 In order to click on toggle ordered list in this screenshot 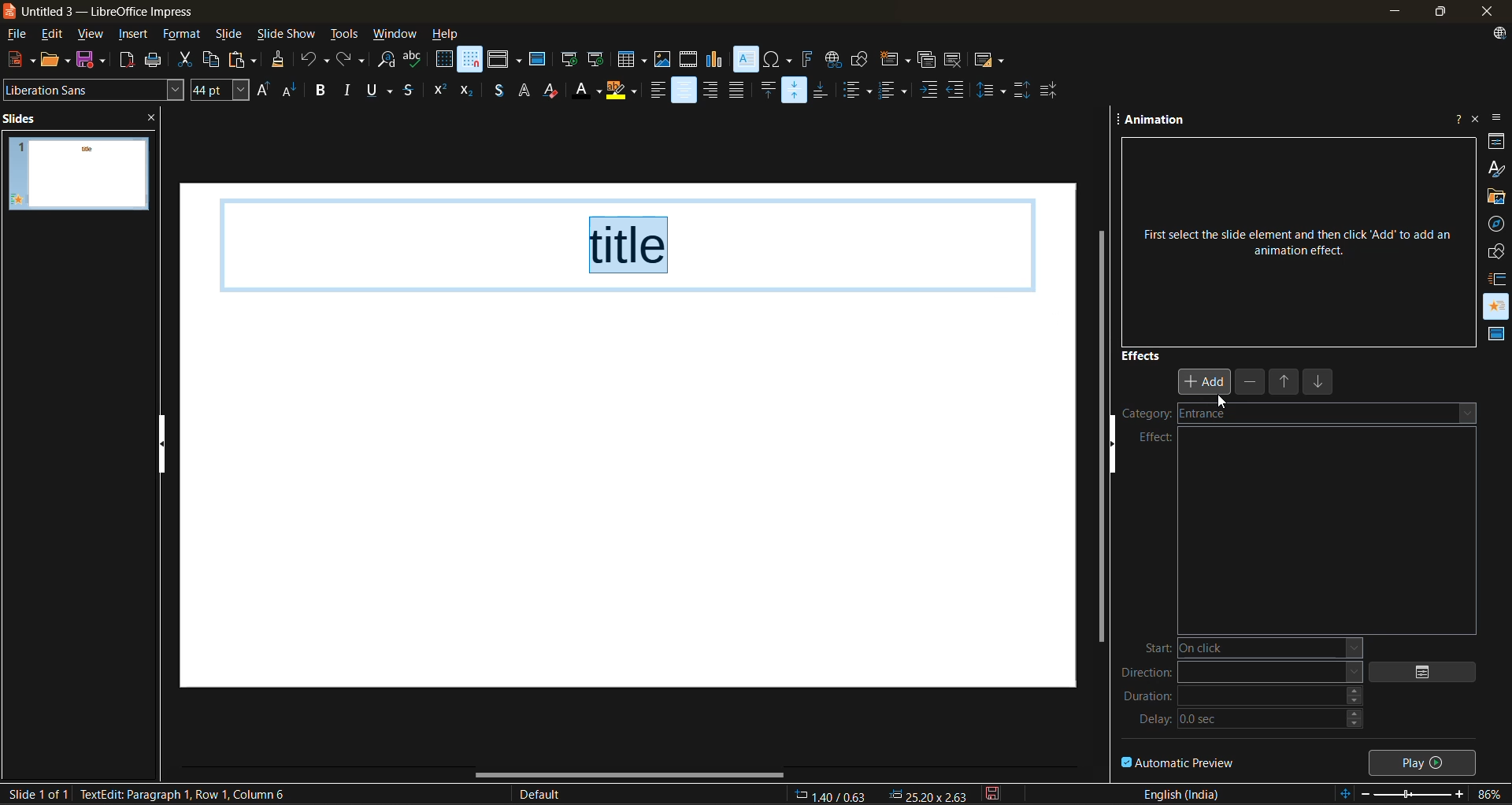, I will do `click(896, 90)`.